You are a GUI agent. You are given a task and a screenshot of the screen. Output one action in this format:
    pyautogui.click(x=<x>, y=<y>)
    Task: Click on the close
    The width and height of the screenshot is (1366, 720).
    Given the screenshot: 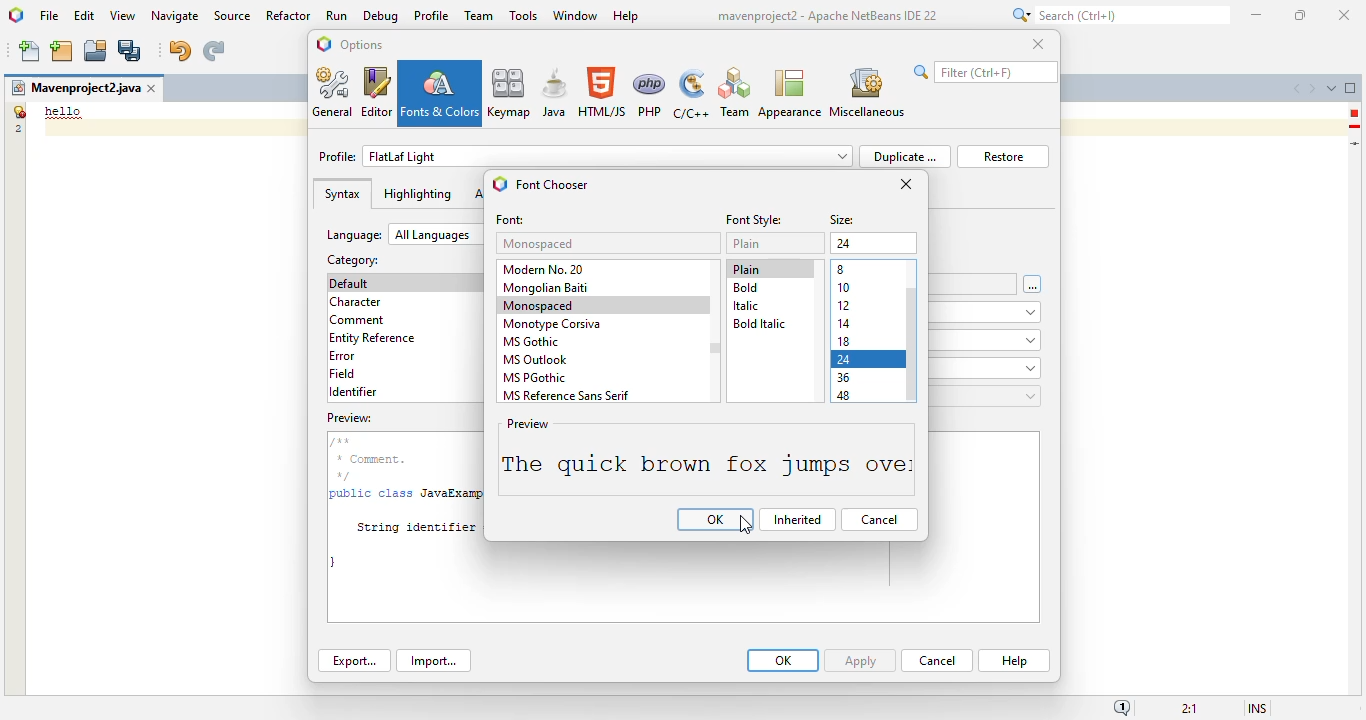 What is the action you would take?
    pyautogui.click(x=1038, y=43)
    